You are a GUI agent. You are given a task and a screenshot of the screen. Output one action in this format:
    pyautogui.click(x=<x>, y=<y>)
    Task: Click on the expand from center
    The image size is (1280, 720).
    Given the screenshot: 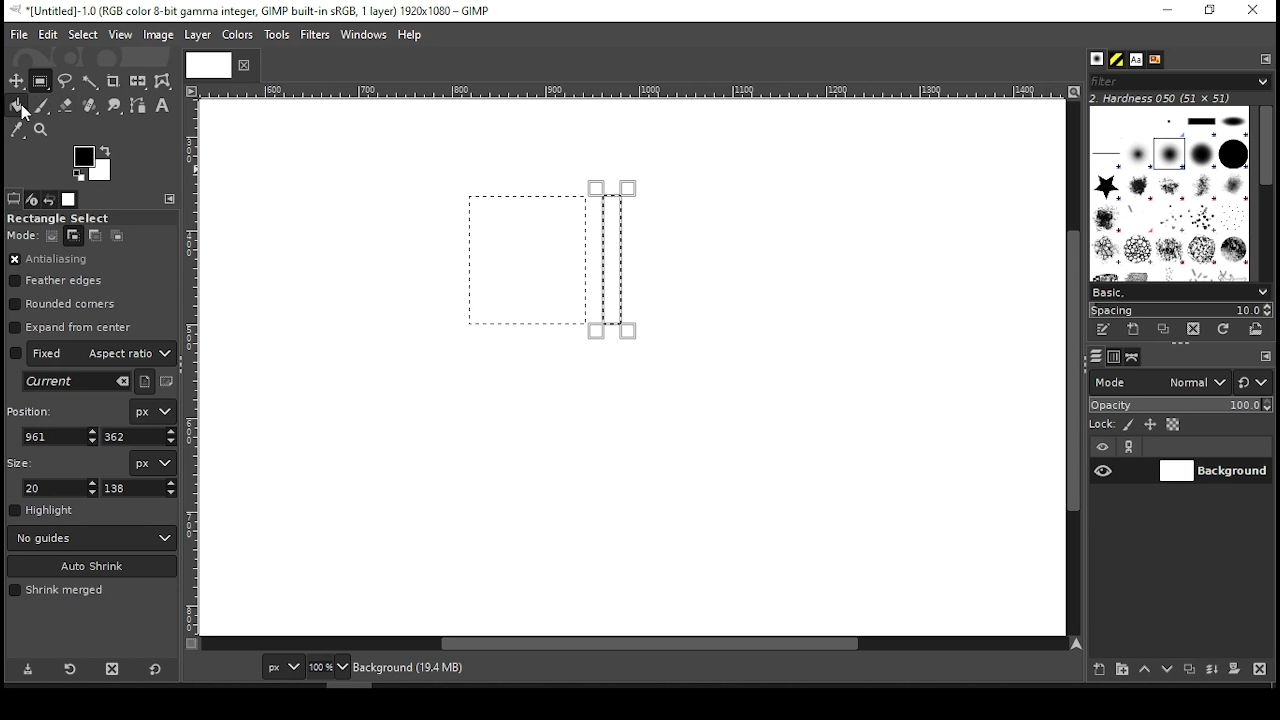 What is the action you would take?
    pyautogui.click(x=71, y=325)
    